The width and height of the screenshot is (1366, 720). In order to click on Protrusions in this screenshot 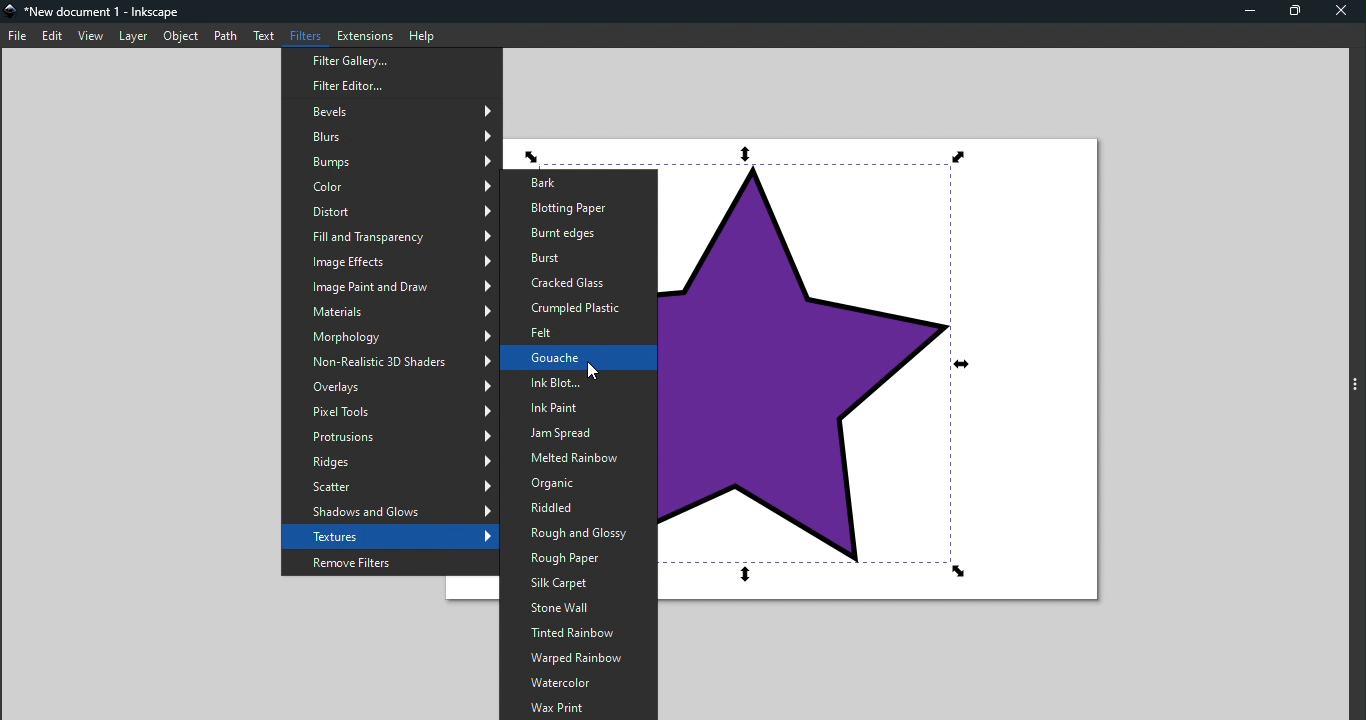, I will do `click(391, 438)`.